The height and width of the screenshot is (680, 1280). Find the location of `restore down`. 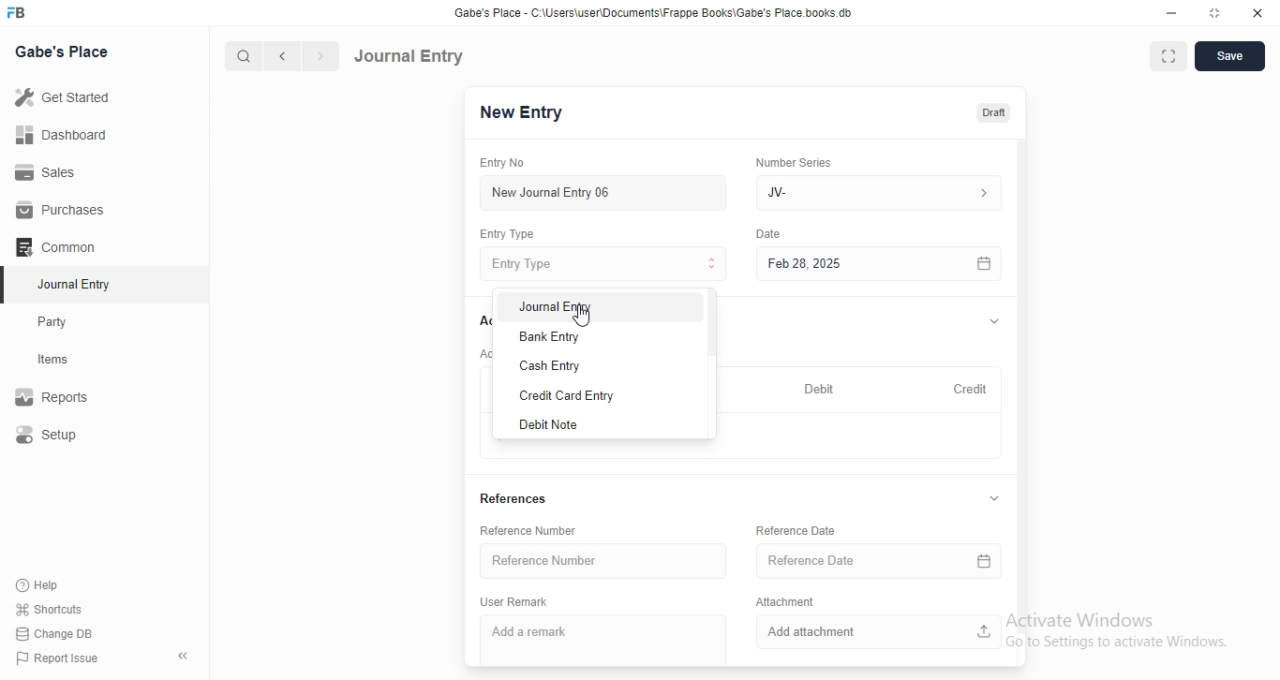

restore down is located at coordinates (1216, 15).